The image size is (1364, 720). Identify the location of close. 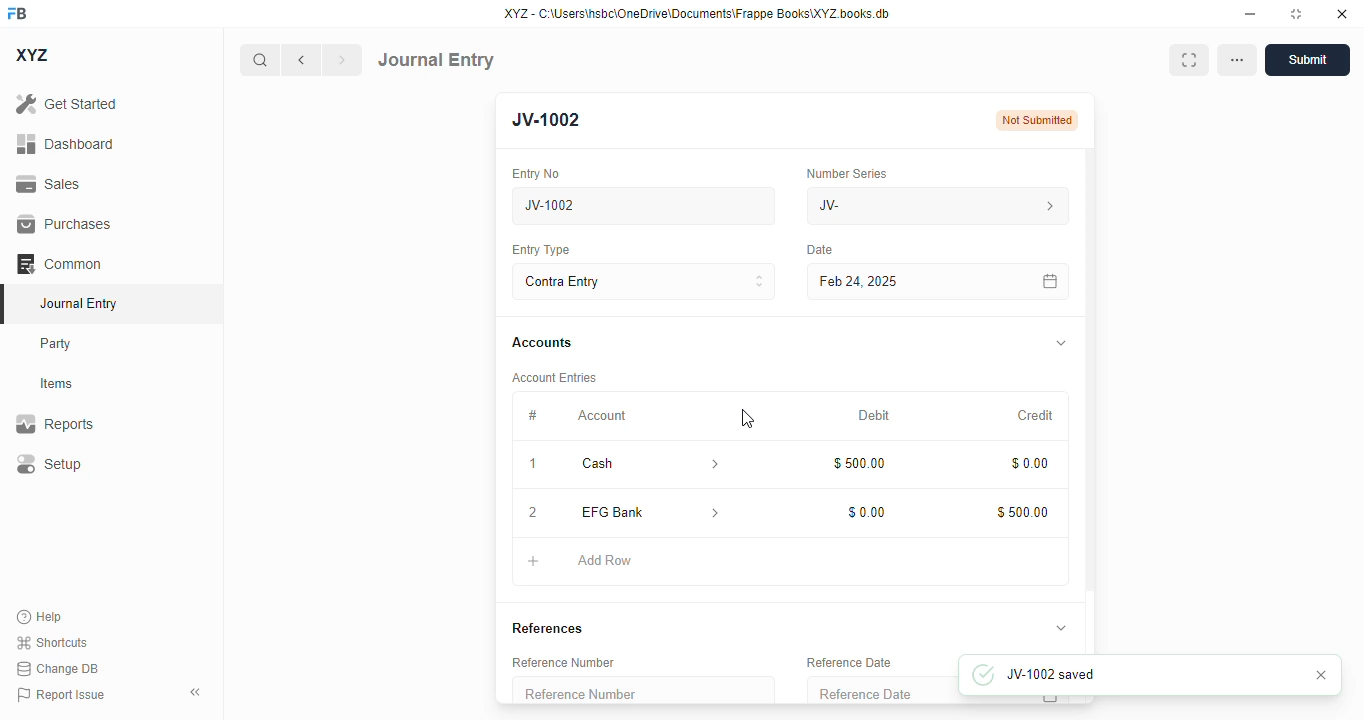
(1342, 14).